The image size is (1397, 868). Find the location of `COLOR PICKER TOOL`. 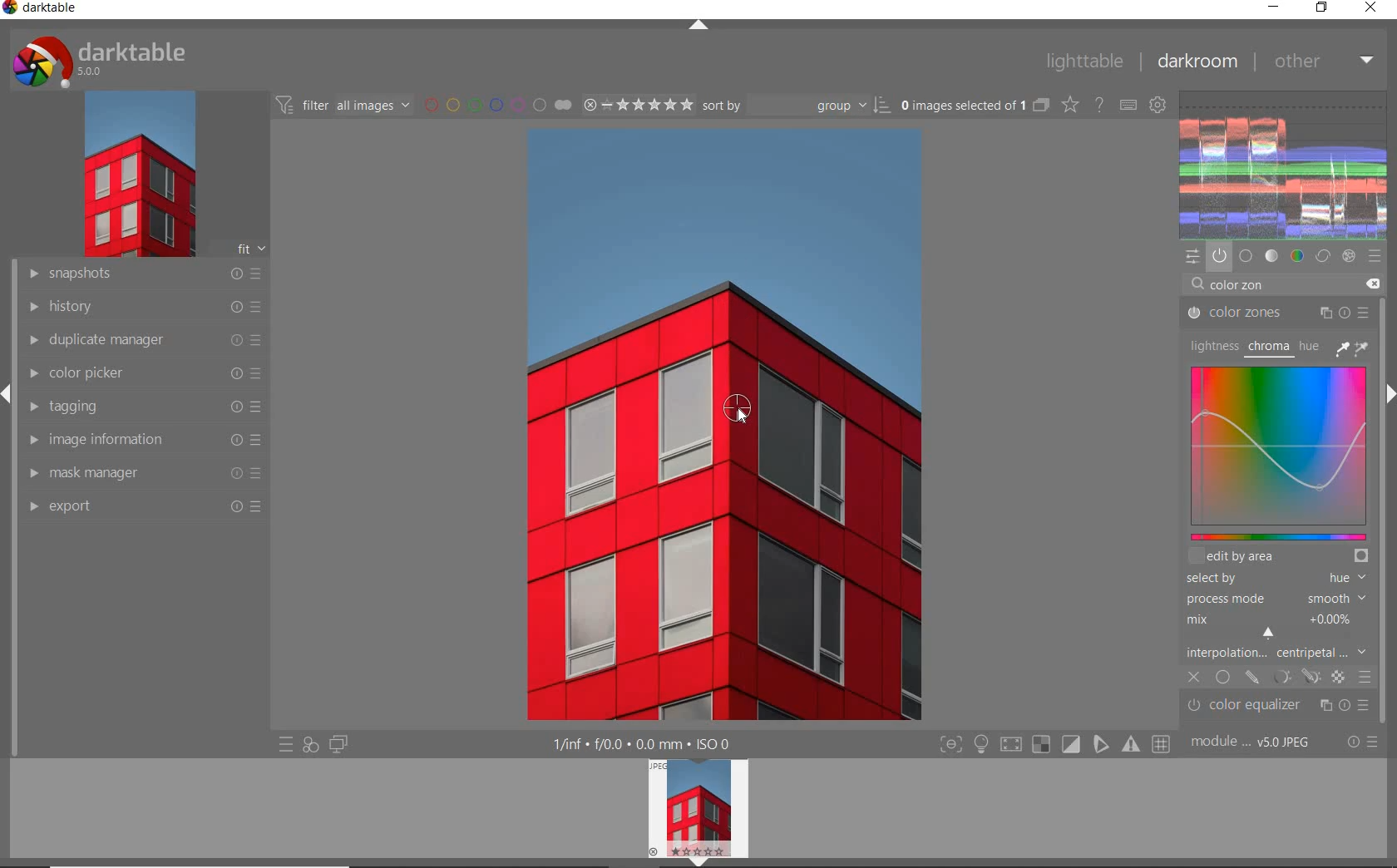

COLOR PICKER TOOL is located at coordinates (740, 408).